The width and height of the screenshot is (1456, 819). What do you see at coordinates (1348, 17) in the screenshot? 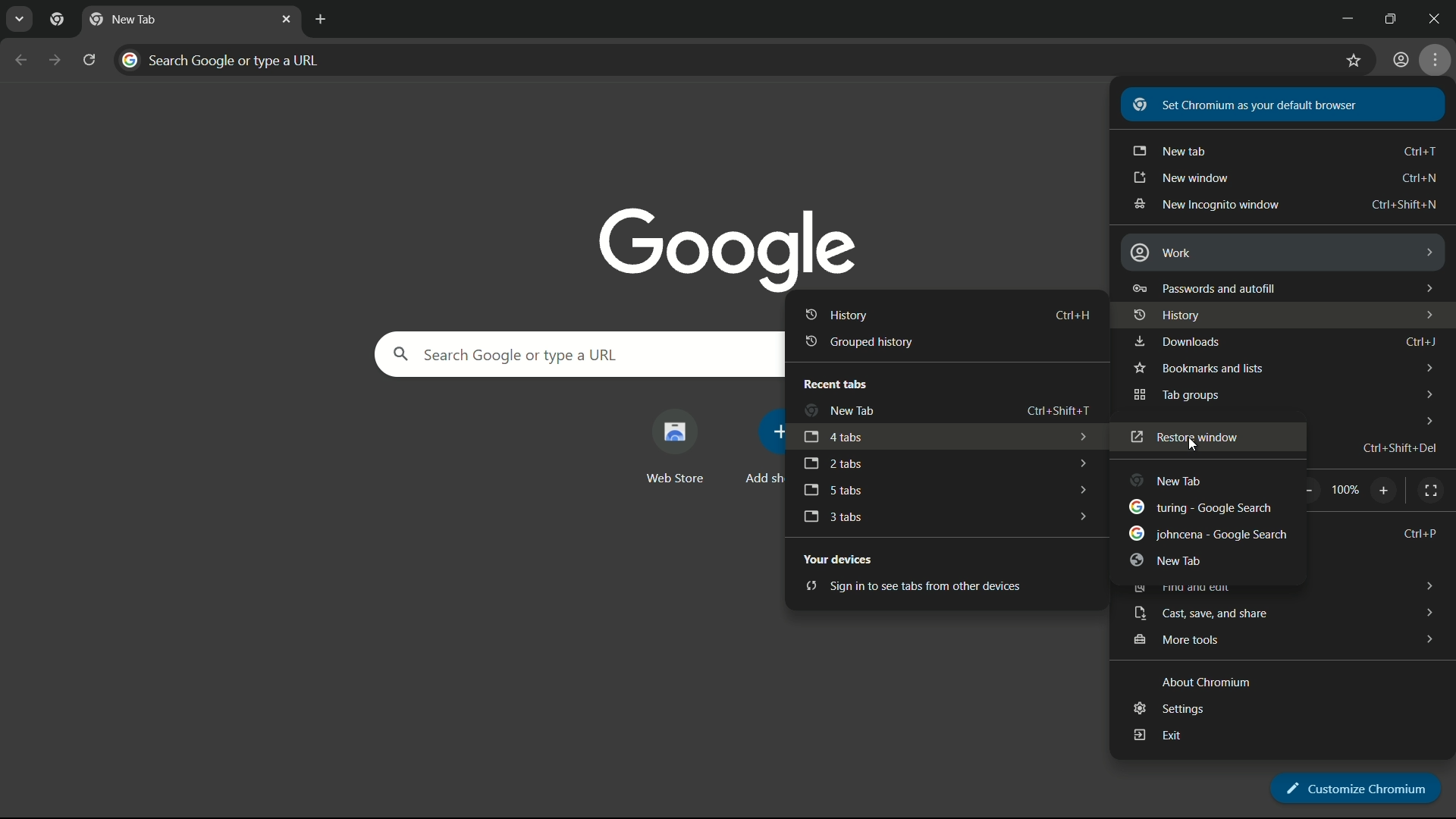
I see `minimize` at bounding box center [1348, 17].